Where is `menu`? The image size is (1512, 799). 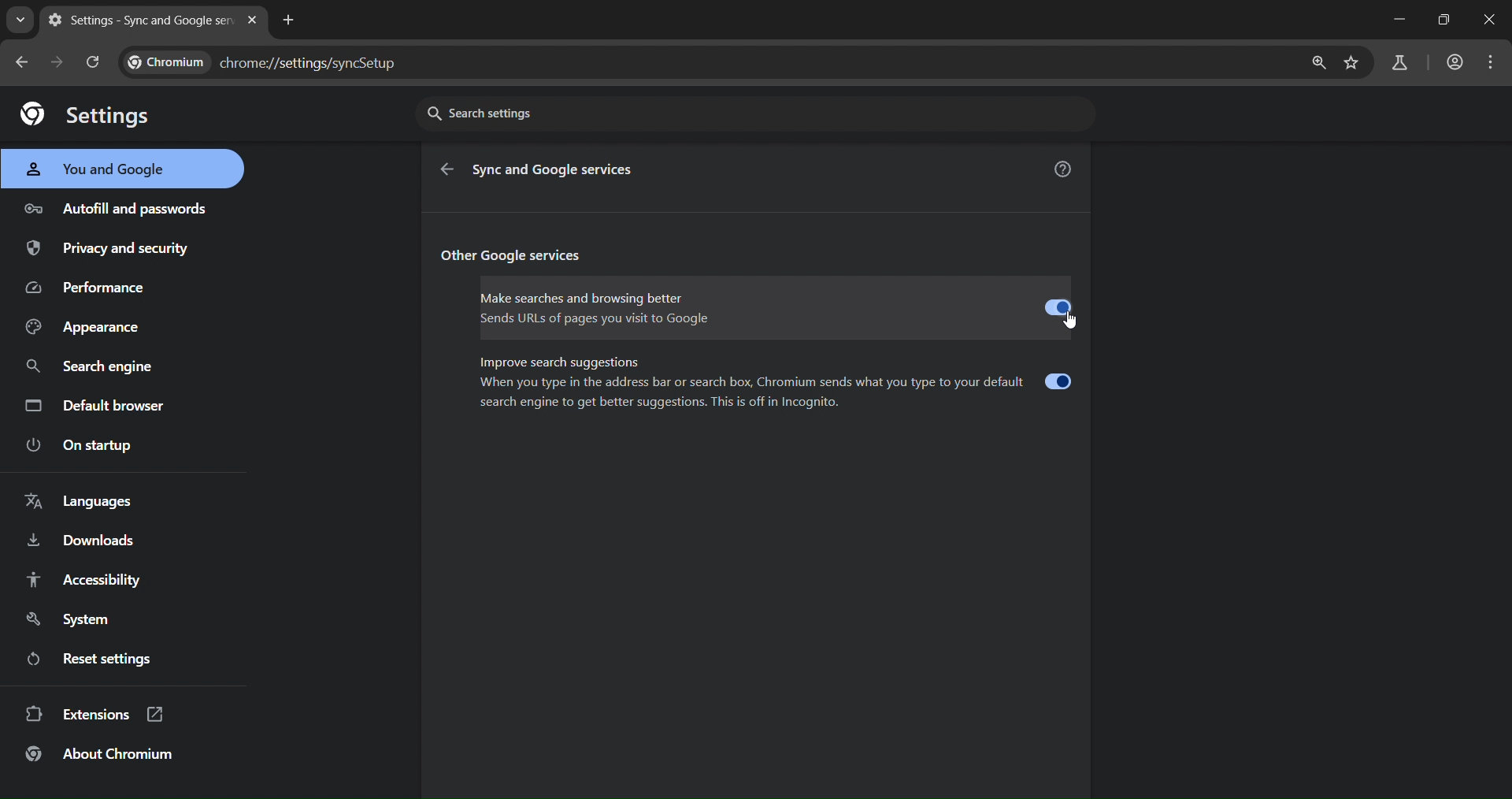 menu is located at coordinates (1489, 63).